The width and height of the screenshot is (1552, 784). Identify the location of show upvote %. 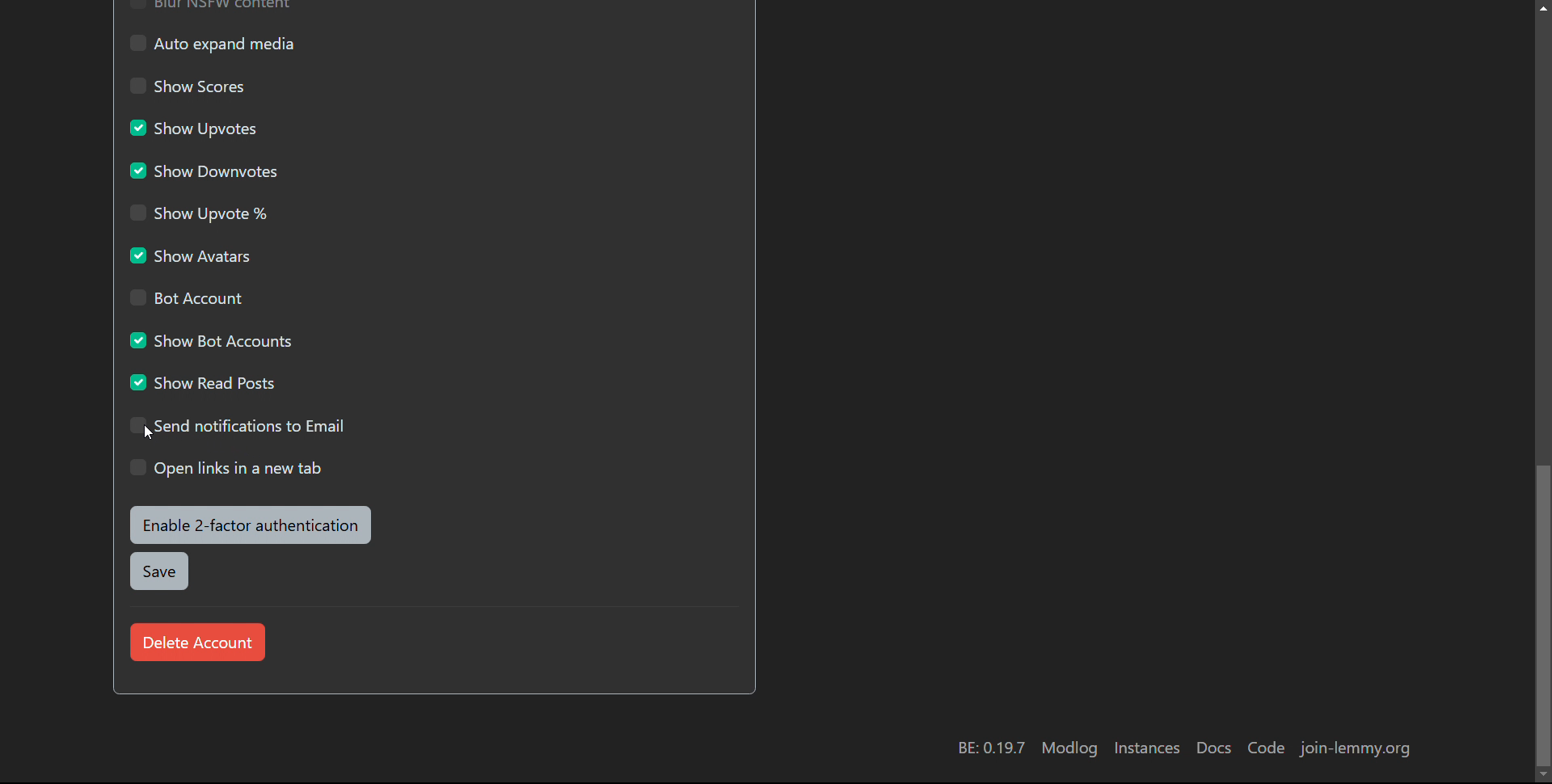
(199, 212).